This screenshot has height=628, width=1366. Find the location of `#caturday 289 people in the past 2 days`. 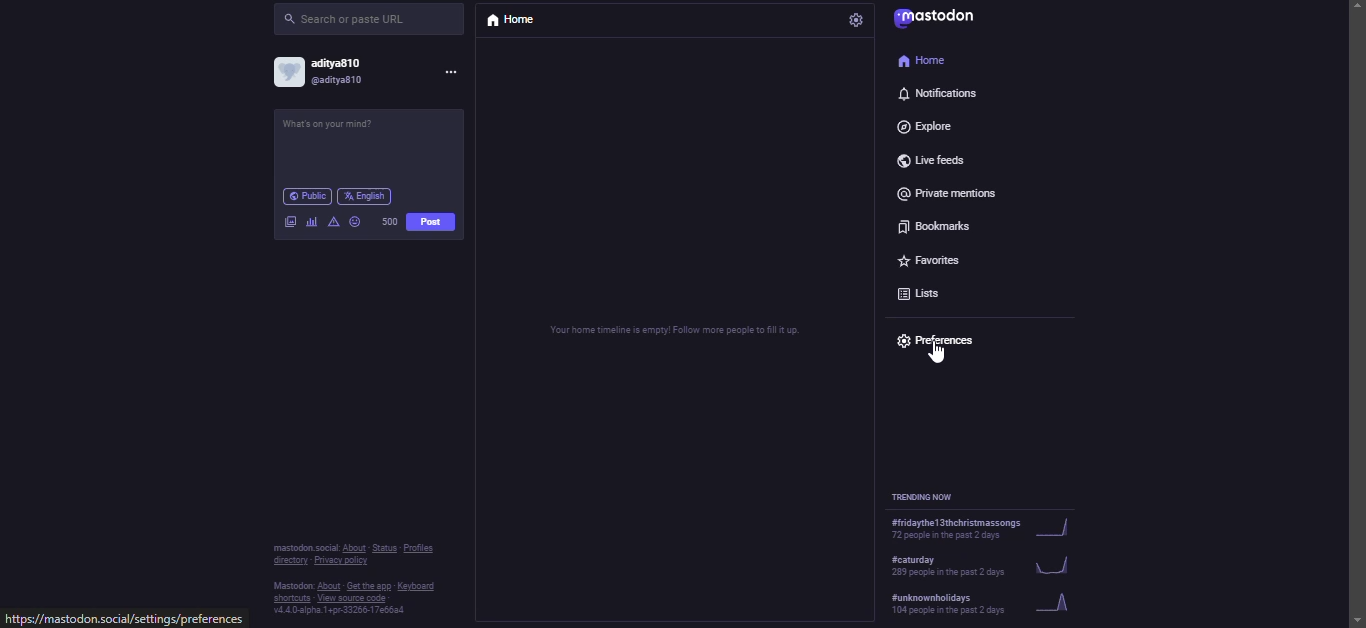

#caturday 289 people in the past 2 days is located at coordinates (984, 565).